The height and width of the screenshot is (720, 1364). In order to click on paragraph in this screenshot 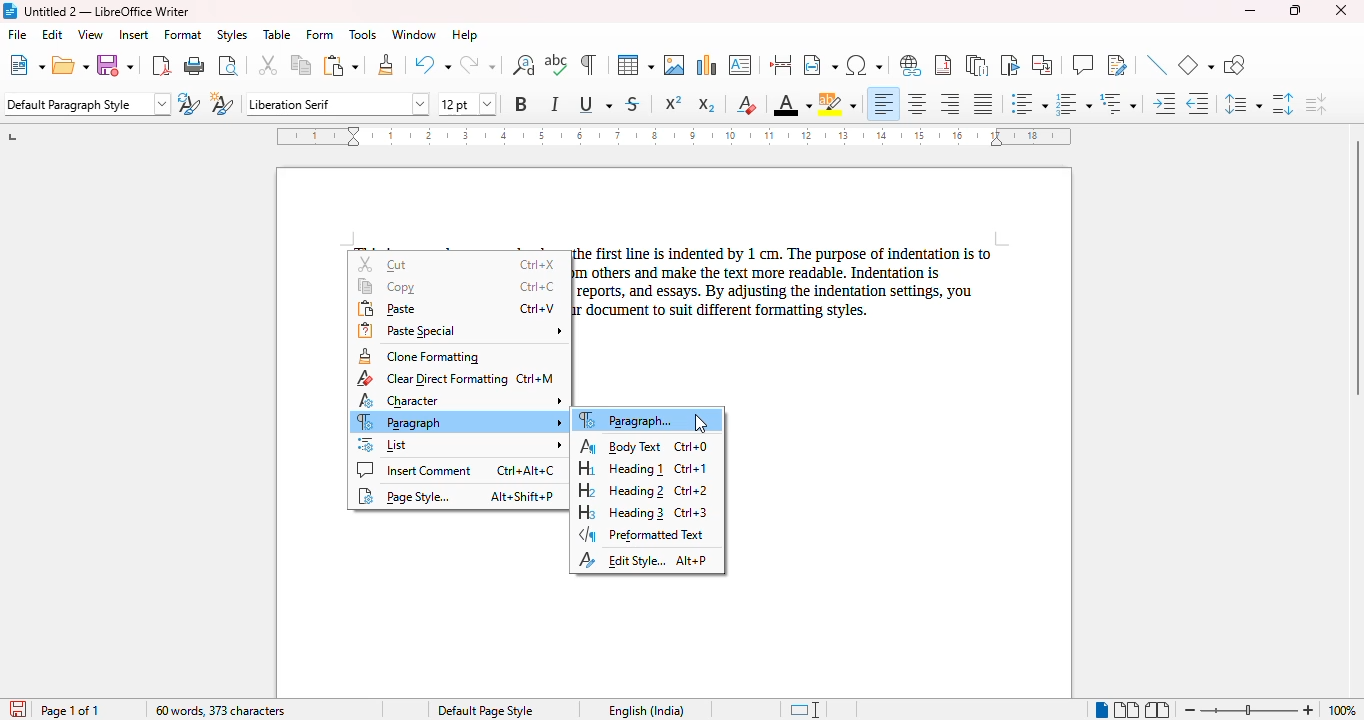, I will do `click(631, 420)`.